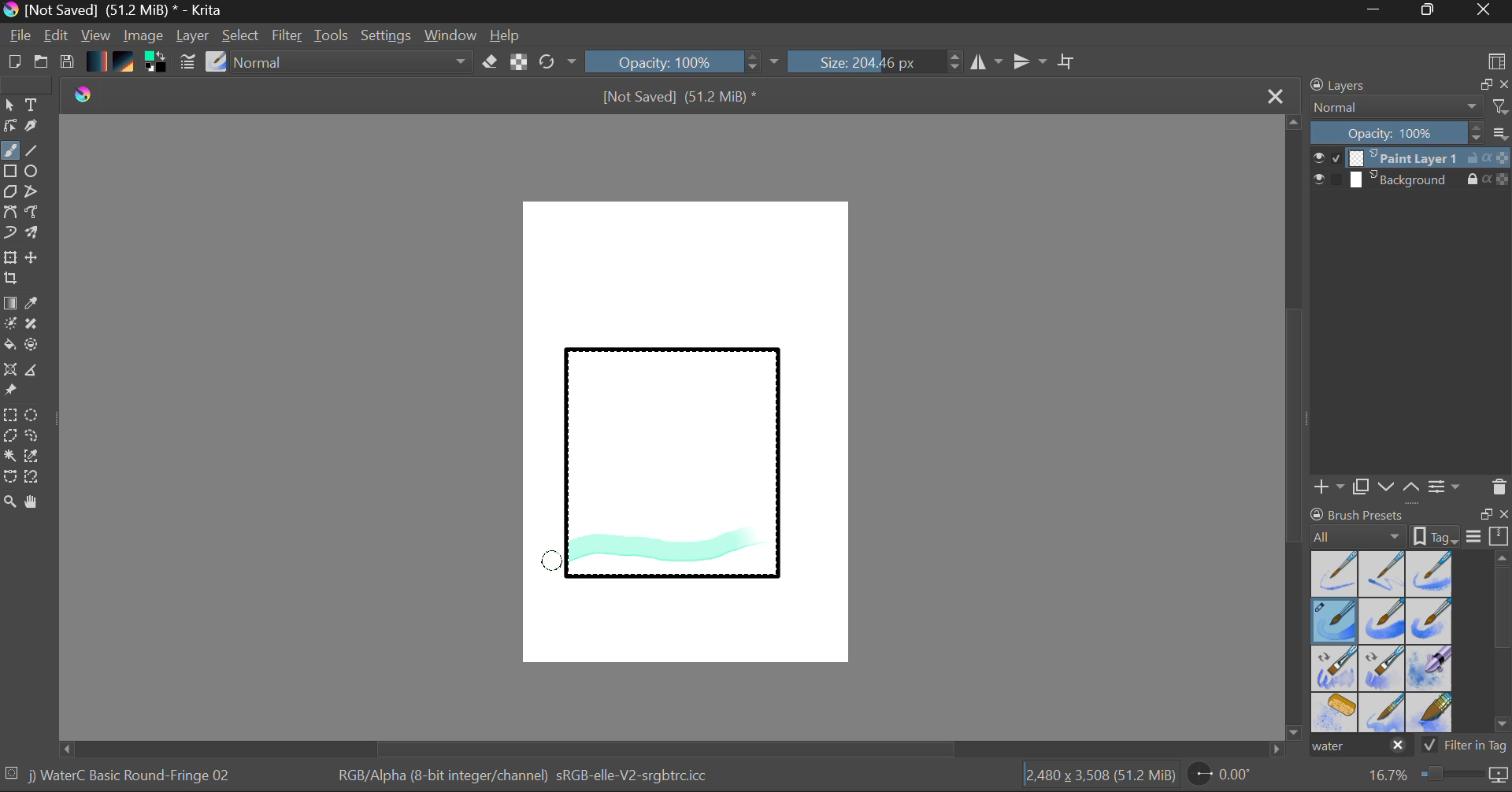 This screenshot has height=792, width=1512. What do you see at coordinates (1445, 486) in the screenshot?
I see `Layer Settings` at bounding box center [1445, 486].